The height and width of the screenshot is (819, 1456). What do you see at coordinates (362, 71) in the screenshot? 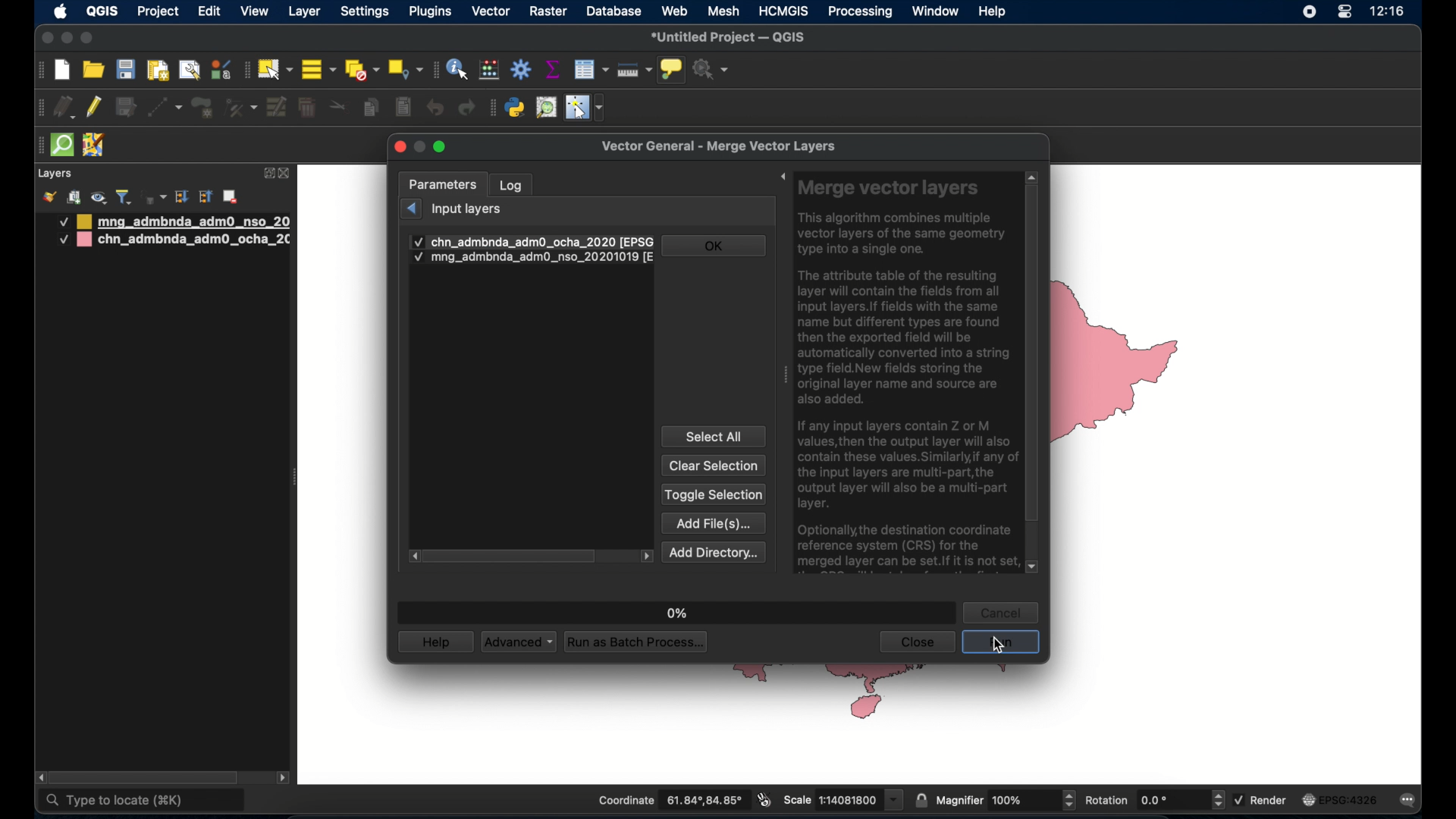
I see `deselect all features` at bounding box center [362, 71].